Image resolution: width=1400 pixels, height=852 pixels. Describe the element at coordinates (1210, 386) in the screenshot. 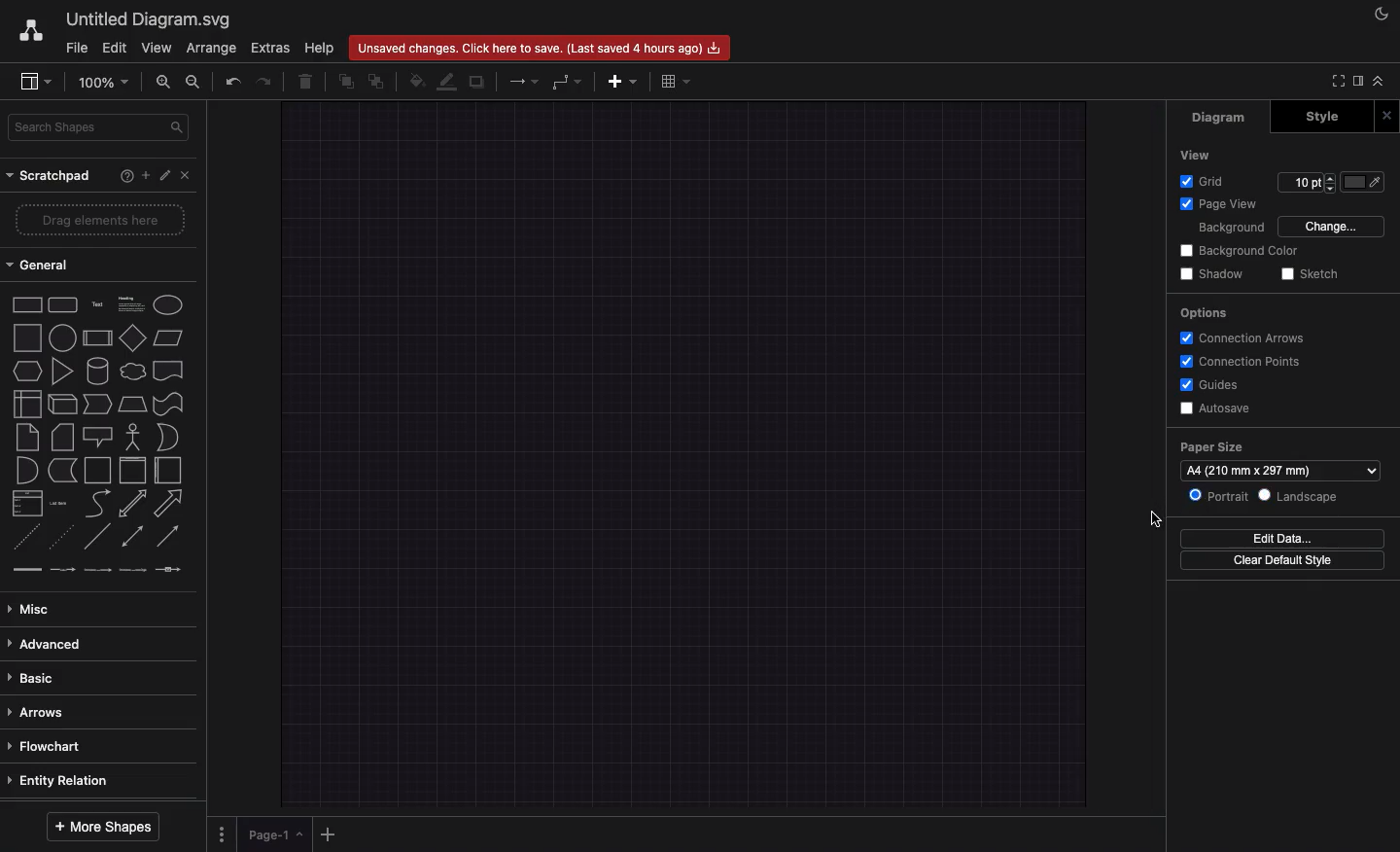

I see `Guides` at that location.